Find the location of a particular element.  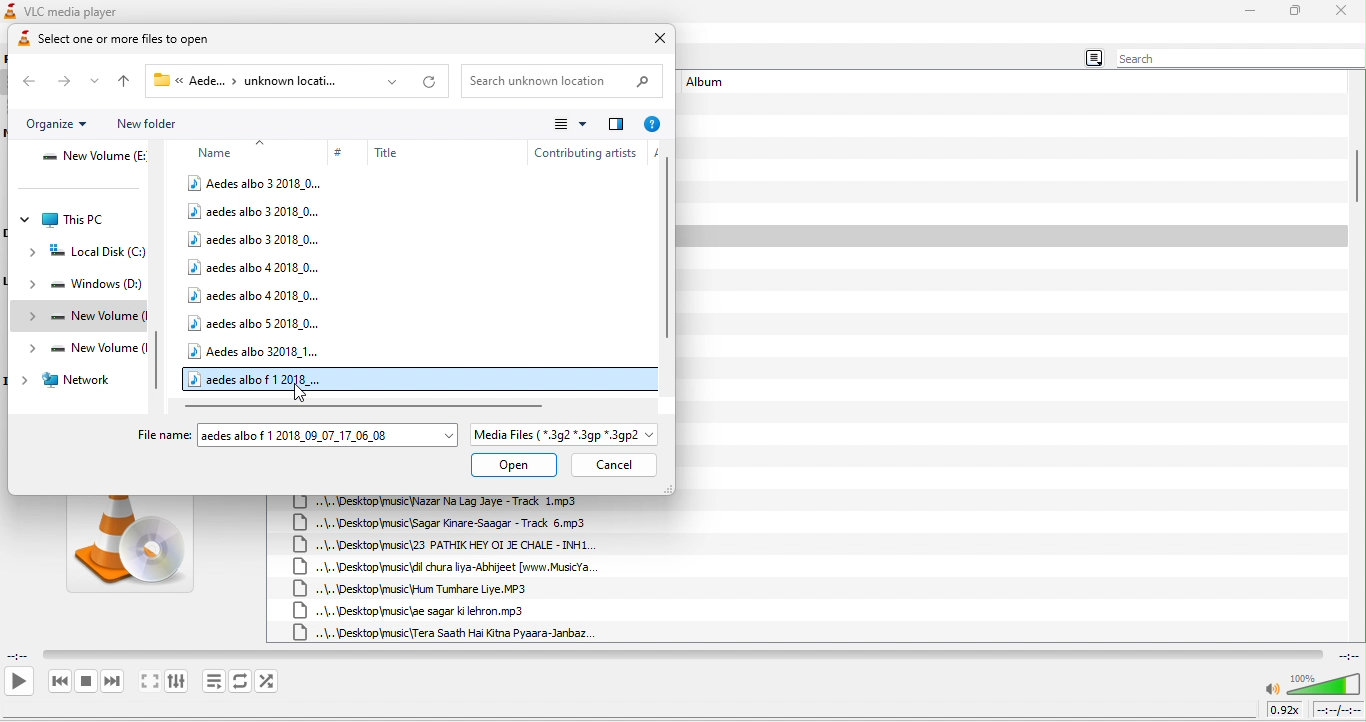

play is located at coordinates (18, 681).